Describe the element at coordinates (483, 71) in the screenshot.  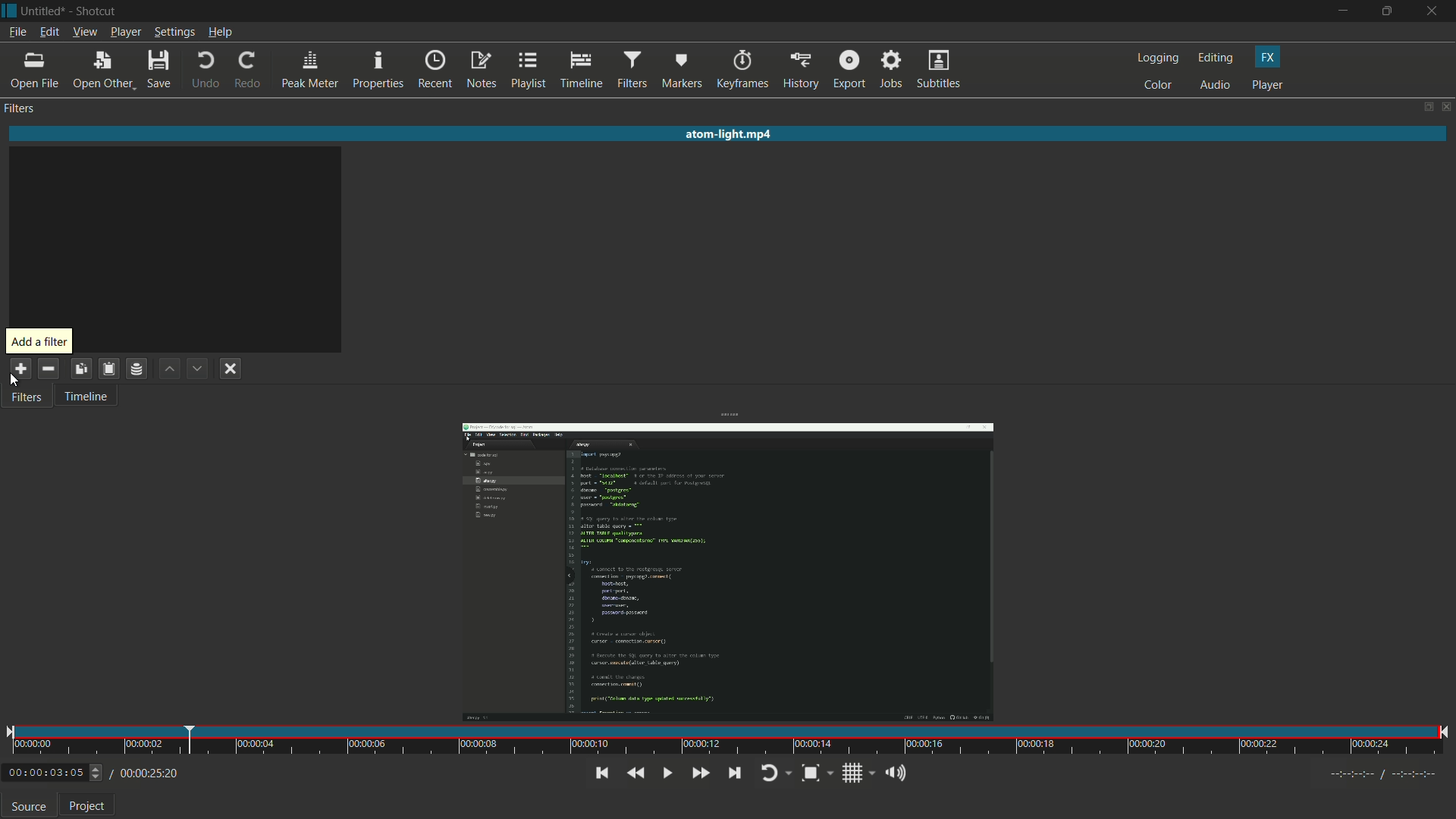
I see `notes` at that location.